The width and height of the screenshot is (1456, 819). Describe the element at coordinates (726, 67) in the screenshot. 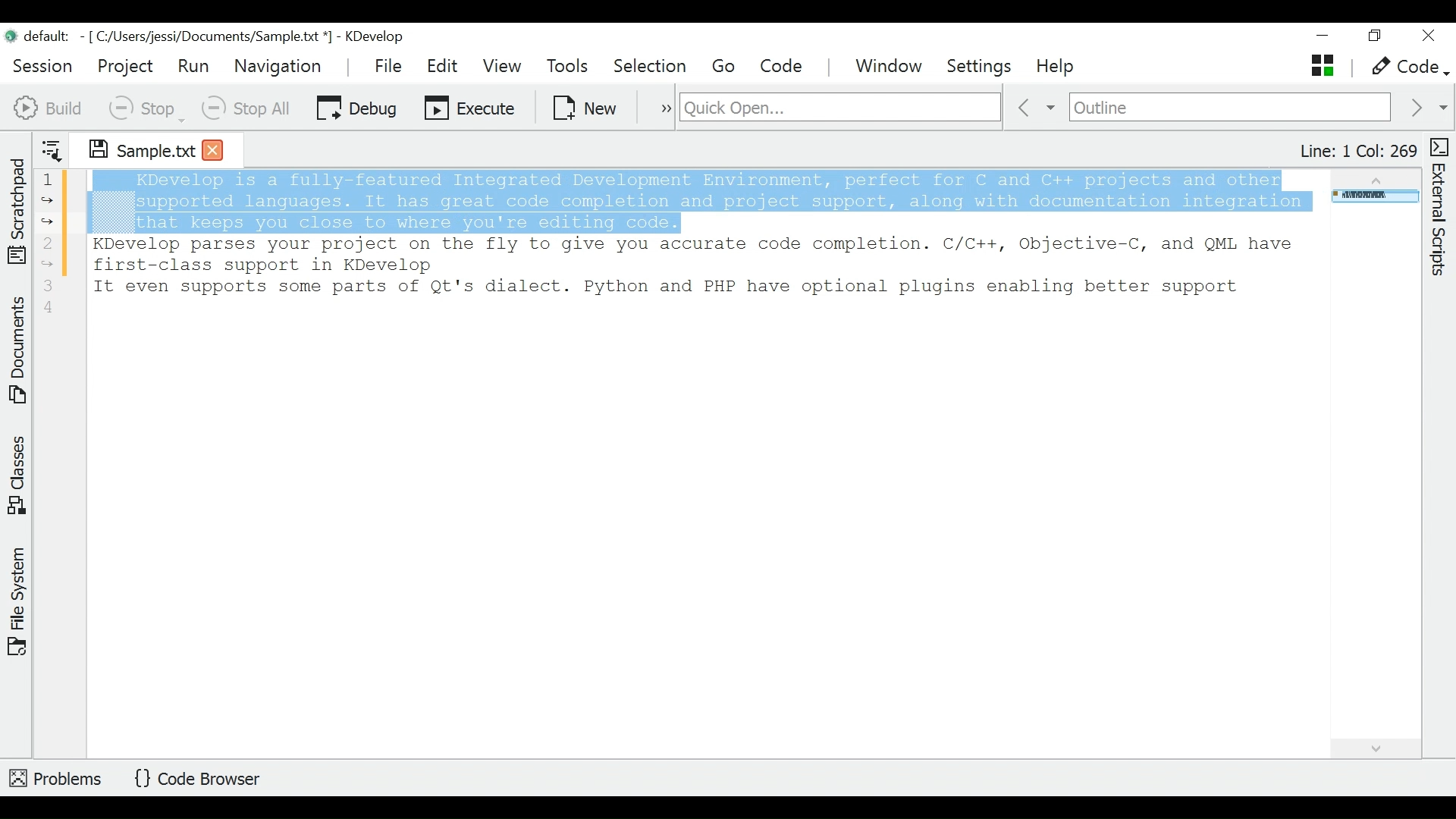

I see `Go` at that location.